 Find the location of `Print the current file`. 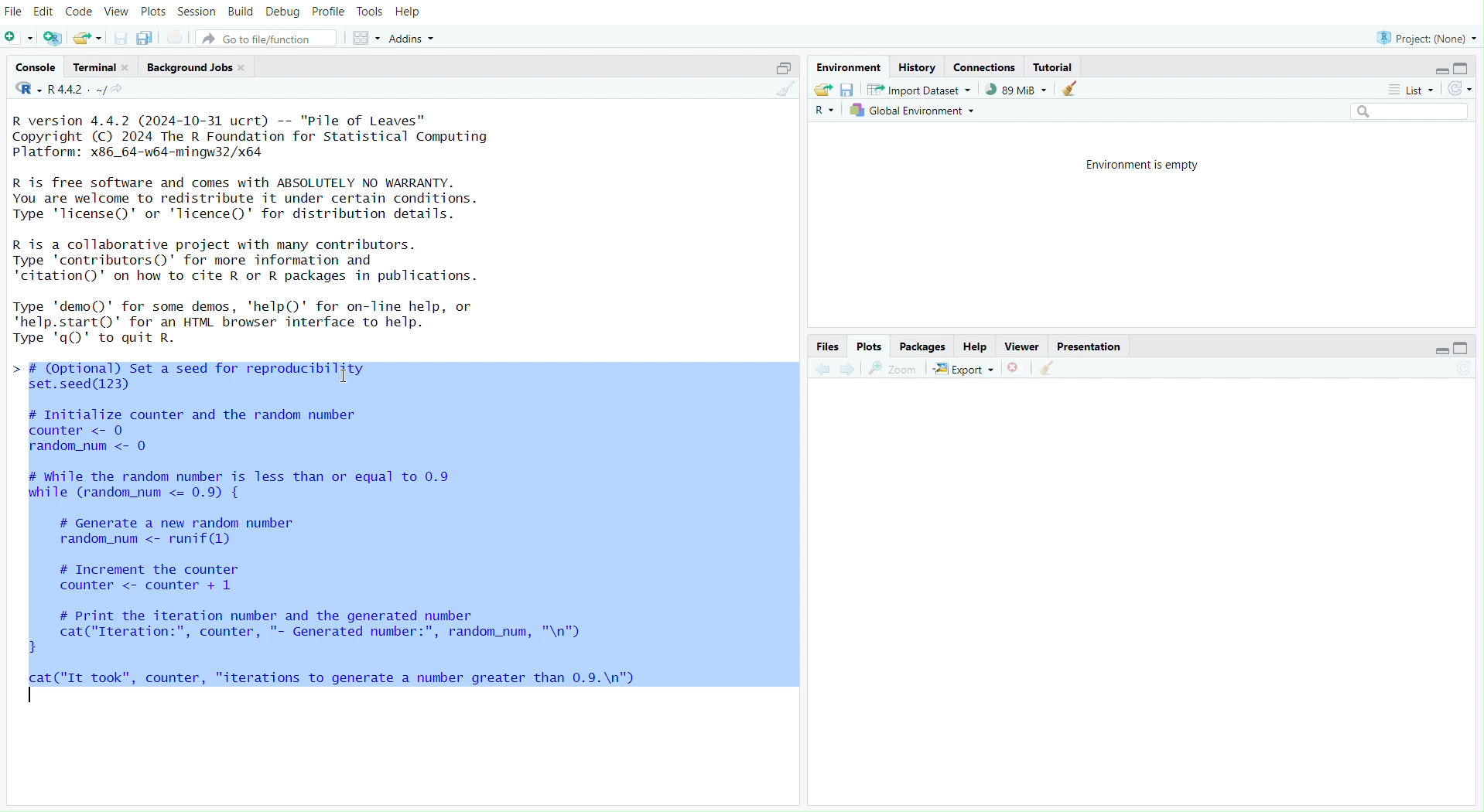

Print the current file is located at coordinates (173, 37).